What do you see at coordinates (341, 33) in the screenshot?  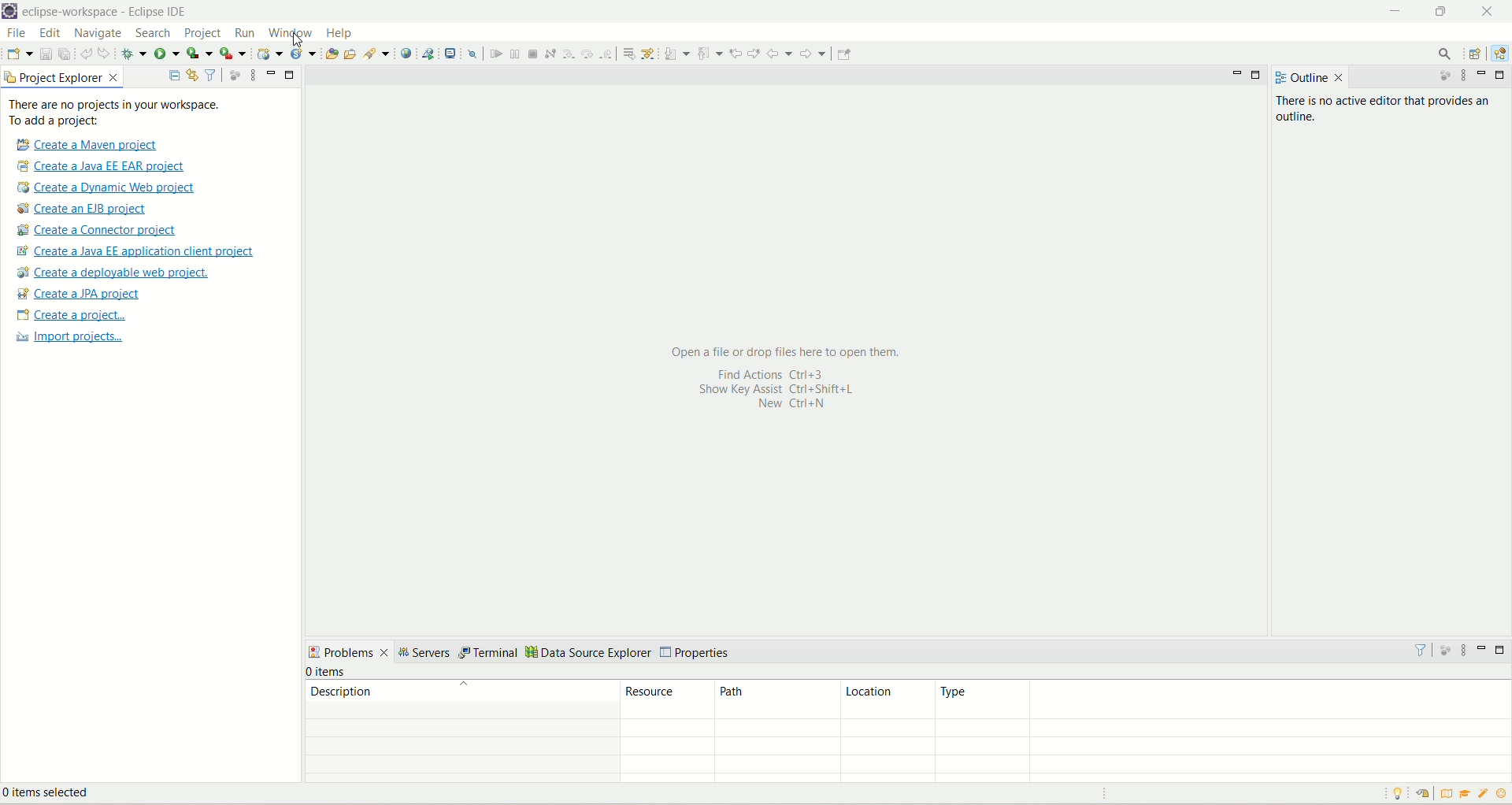 I see `help` at bounding box center [341, 33].